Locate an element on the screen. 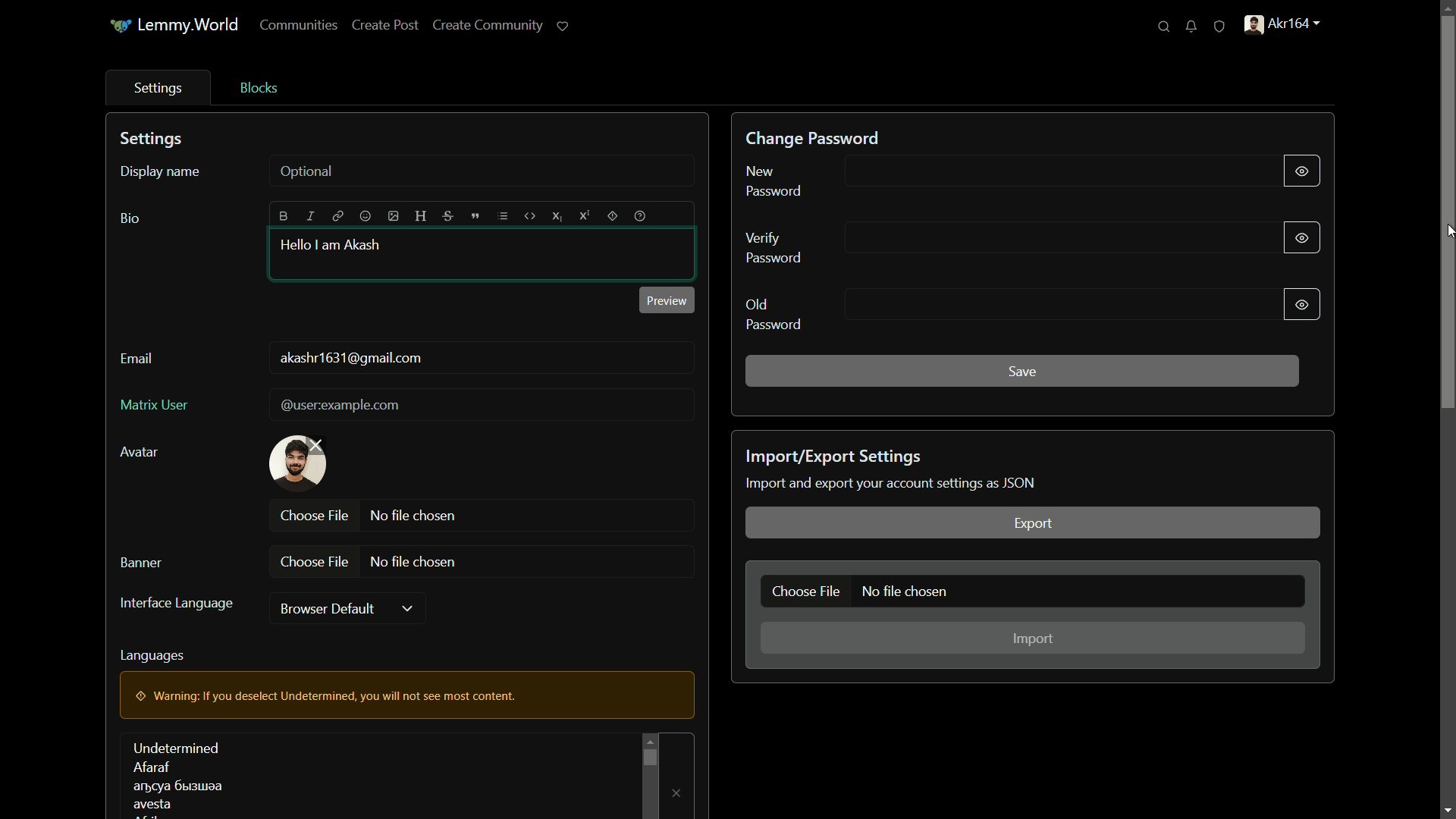  show/hide is located at coordinates (1304, 306).